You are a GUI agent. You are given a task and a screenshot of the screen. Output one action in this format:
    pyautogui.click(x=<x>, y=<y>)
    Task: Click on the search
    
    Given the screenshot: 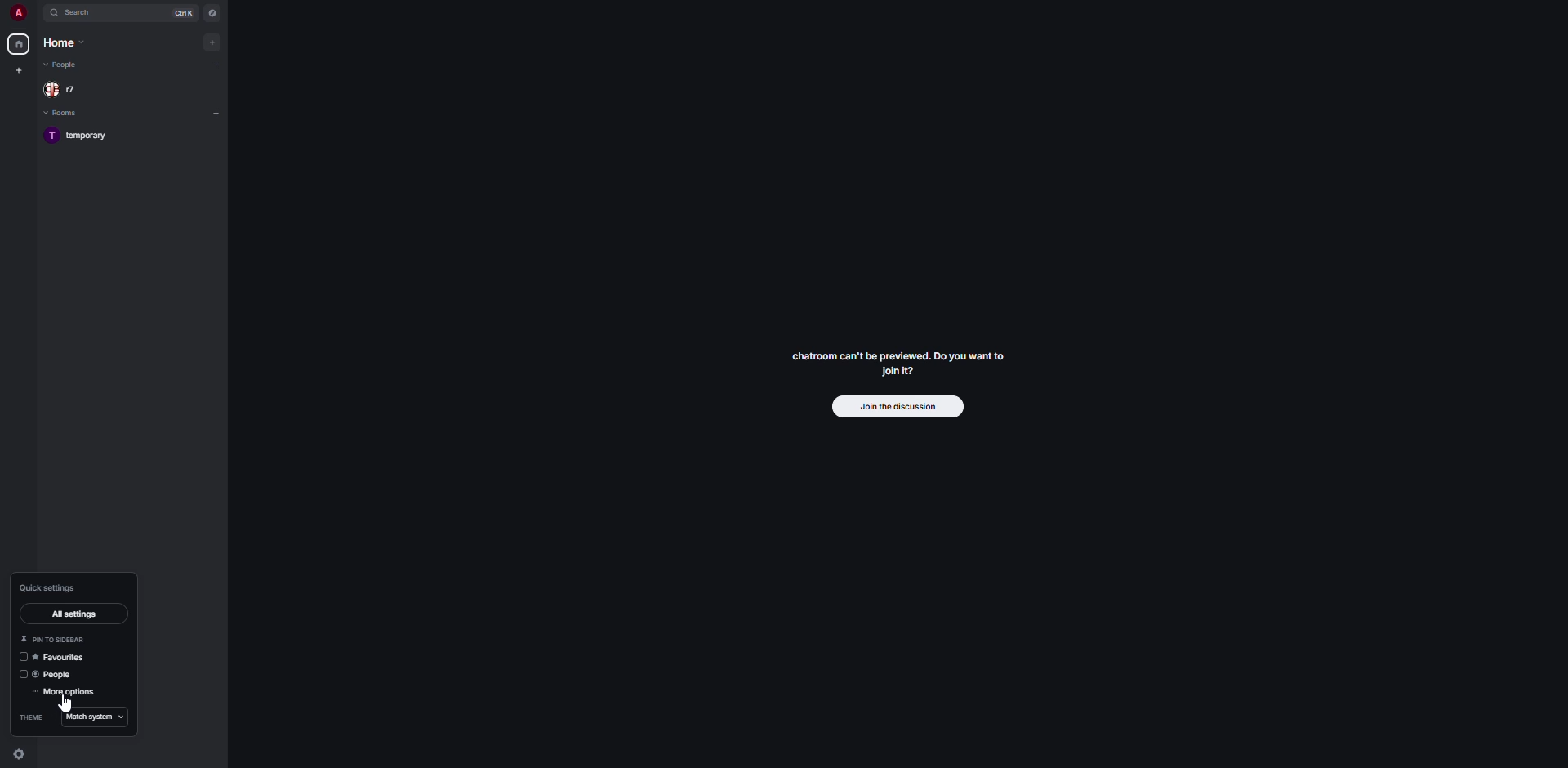 What is the action you would take?
    pyautogui.click(x=79, y=13)
    